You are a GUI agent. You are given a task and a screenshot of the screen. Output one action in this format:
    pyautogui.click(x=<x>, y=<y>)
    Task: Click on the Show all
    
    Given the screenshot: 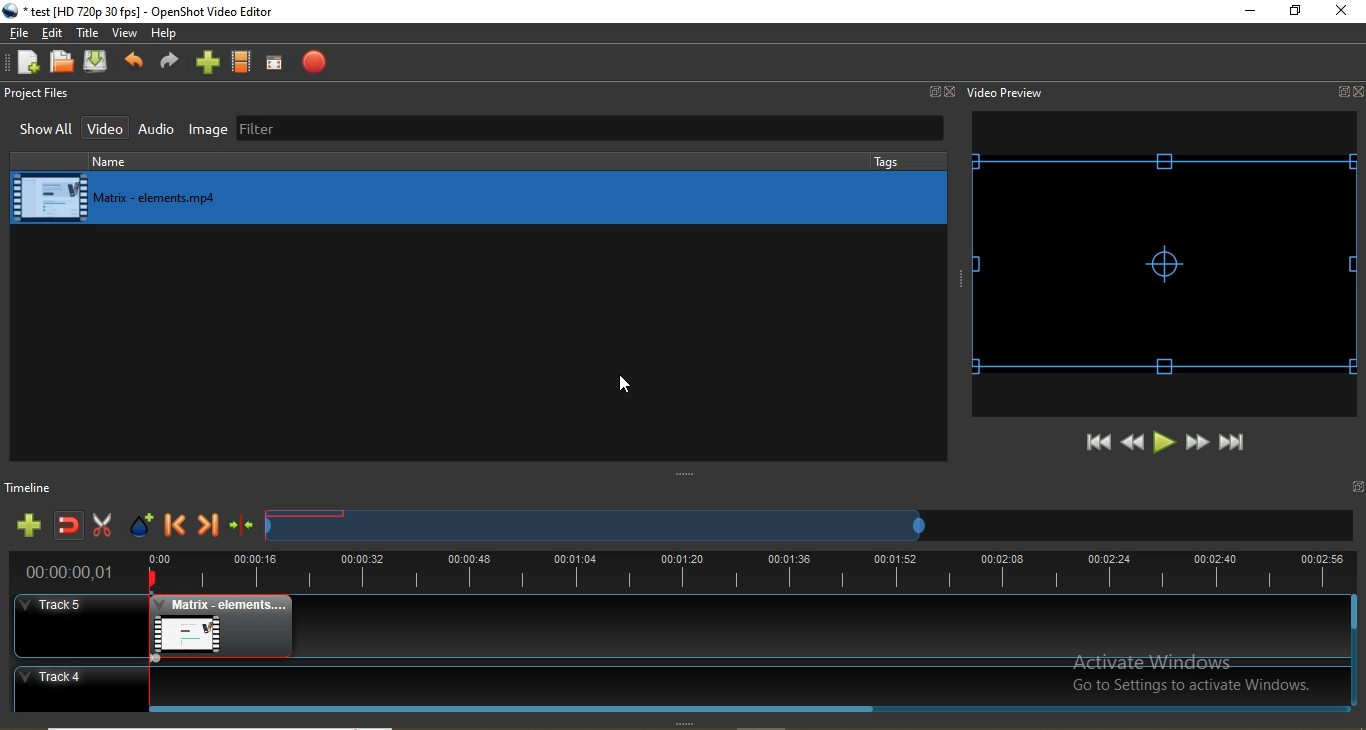 What is the action you would take?
    pyautogui.click(x=41, y=132)
    